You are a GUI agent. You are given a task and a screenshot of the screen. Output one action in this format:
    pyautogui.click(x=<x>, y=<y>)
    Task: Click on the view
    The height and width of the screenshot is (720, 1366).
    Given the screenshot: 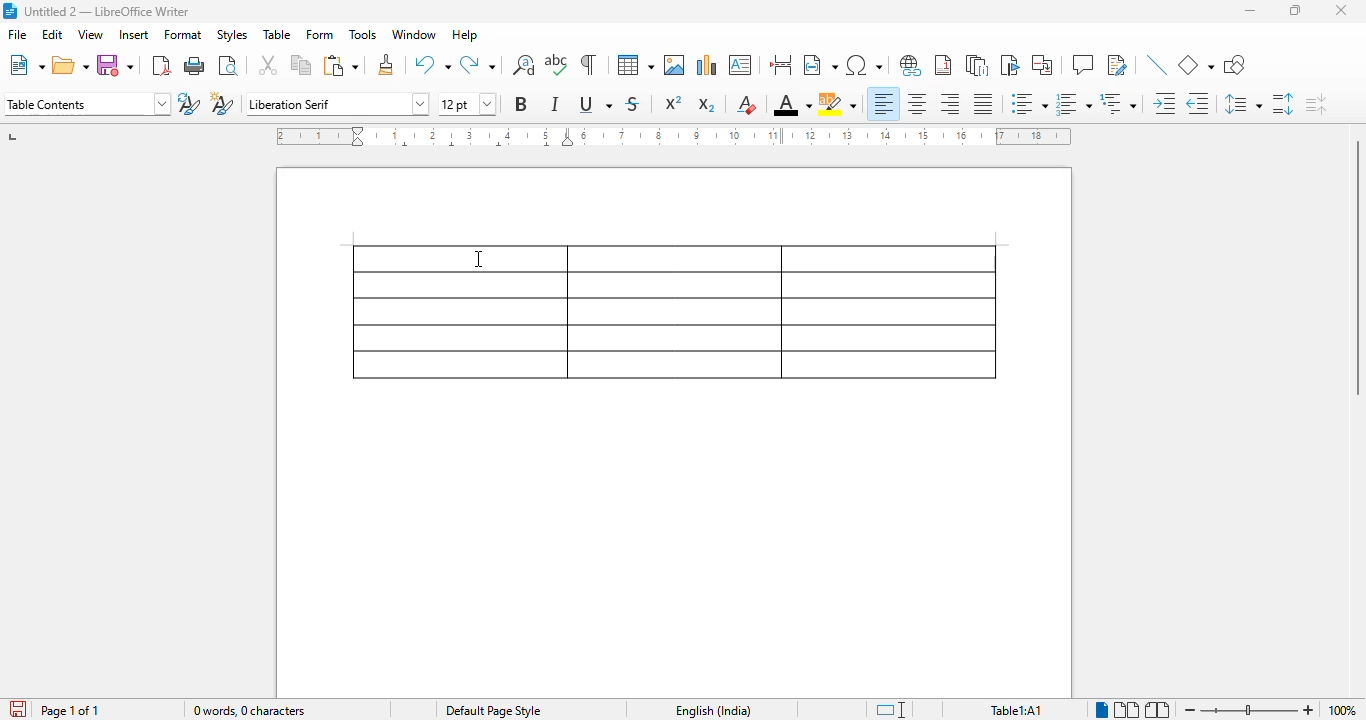 What is the action you would take?
    pyautogui.click(x=90, y=34)
    